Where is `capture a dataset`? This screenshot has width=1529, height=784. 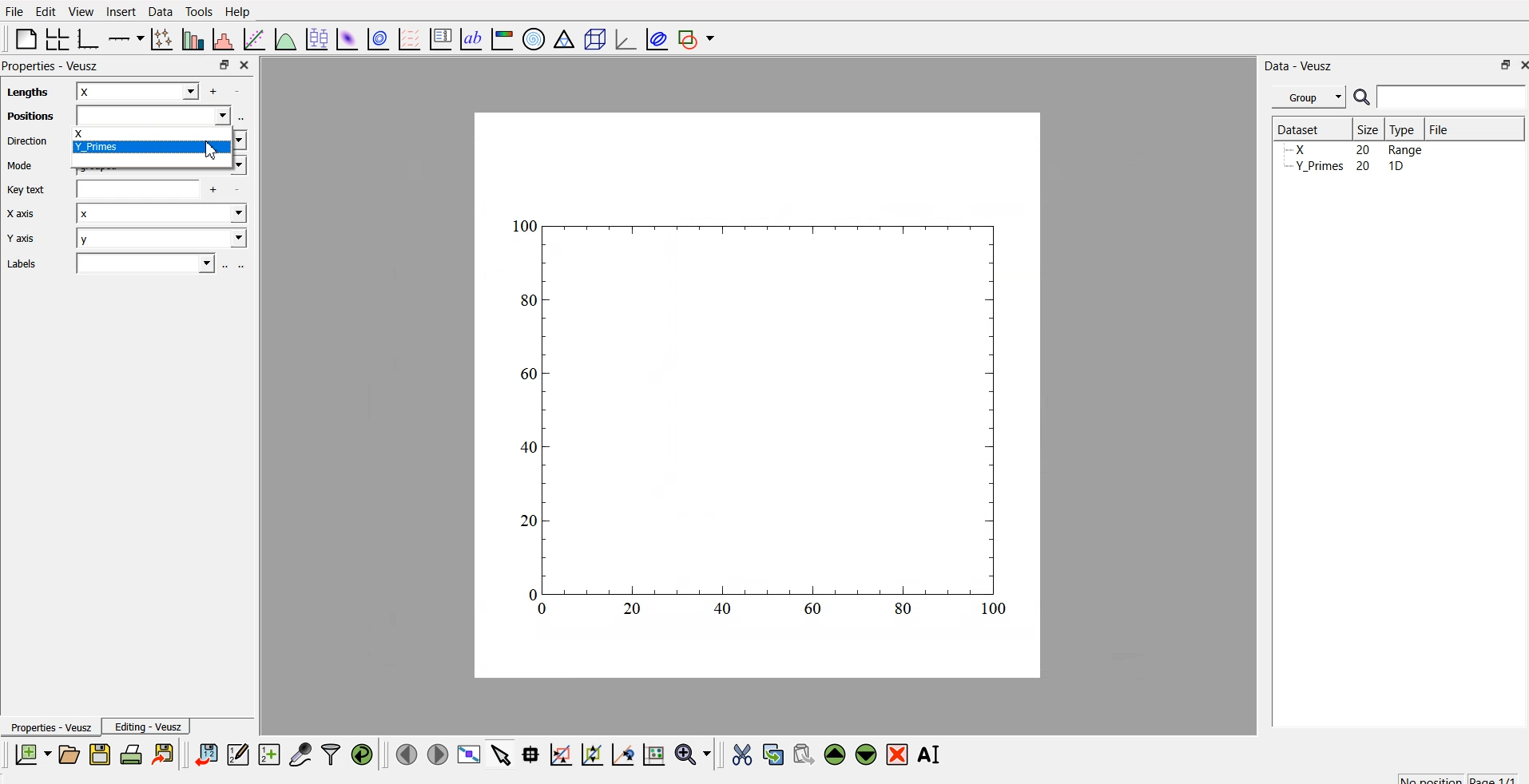 capture a dataset is located at coordinates (300, 754).